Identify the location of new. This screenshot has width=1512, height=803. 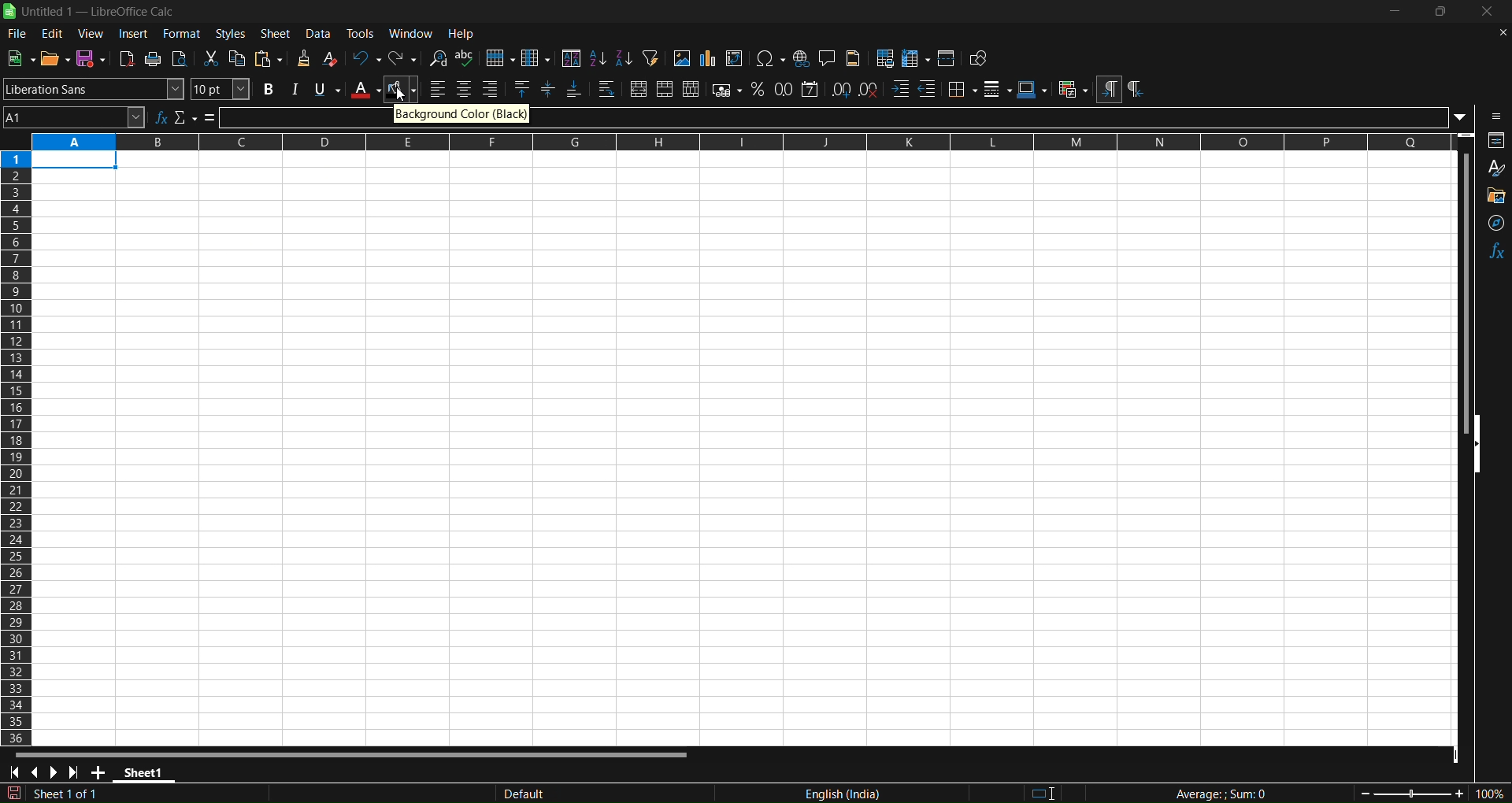
(23, 58).